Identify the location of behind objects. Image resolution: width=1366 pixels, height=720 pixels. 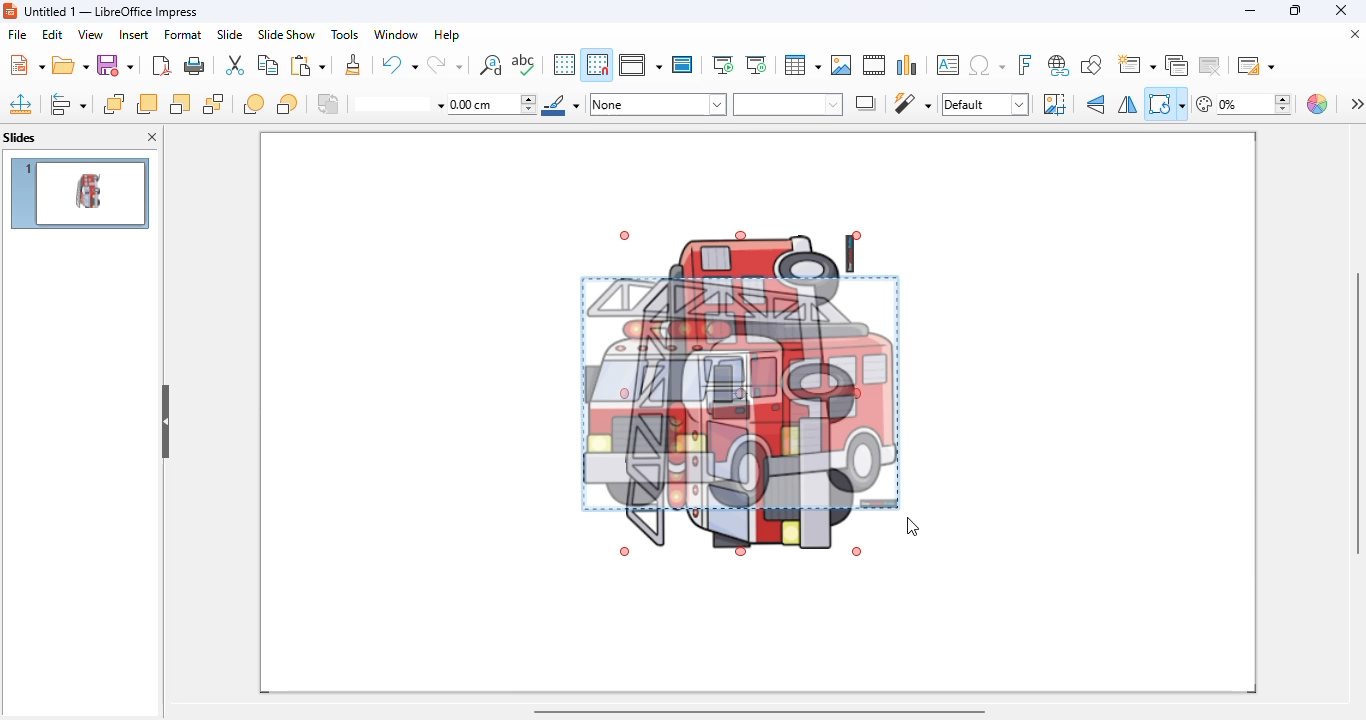
(287, 103).